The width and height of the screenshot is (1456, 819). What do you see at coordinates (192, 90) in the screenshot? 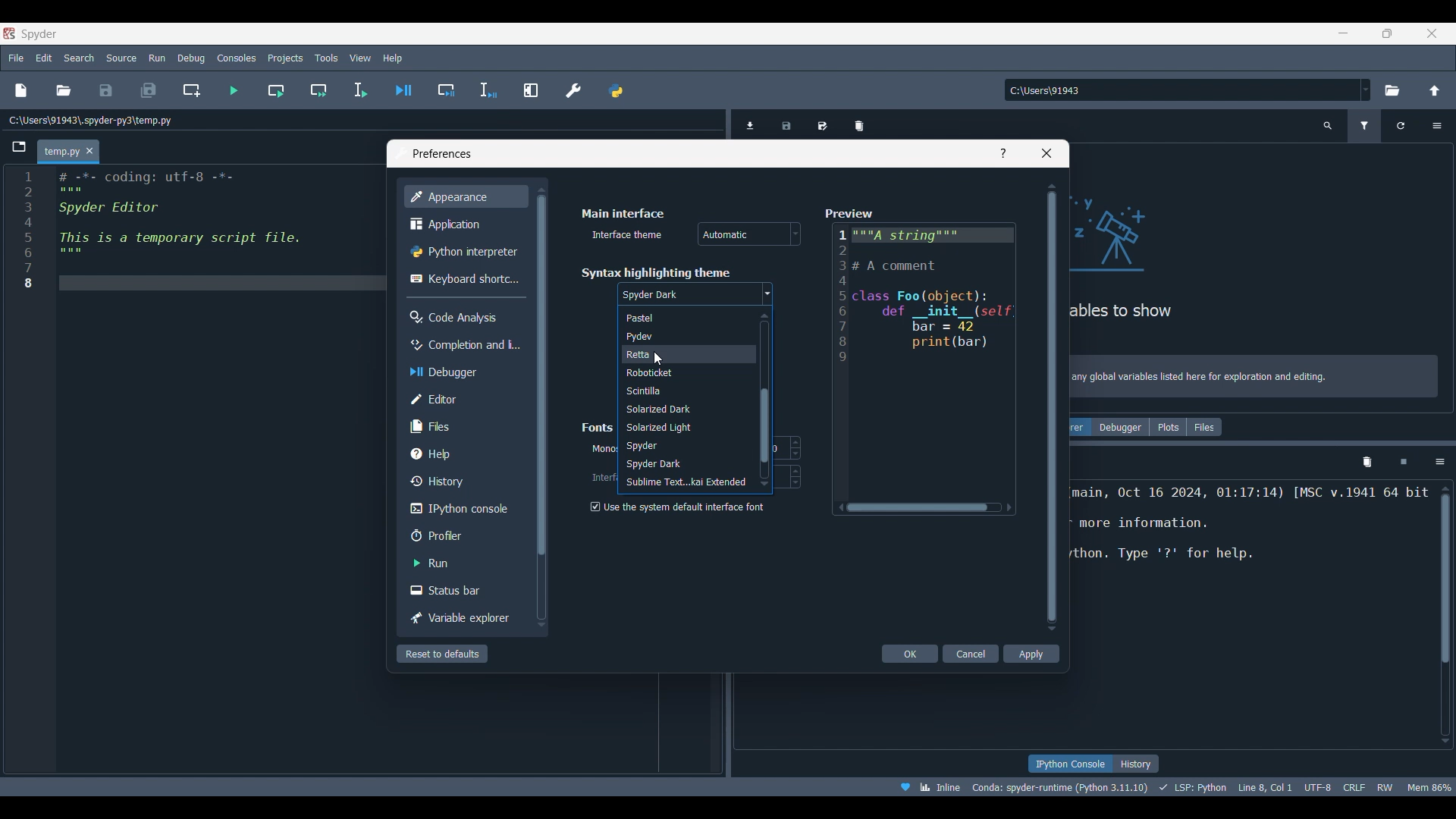
I see `Create new cell at the current line` at bounding box center [192, 90].